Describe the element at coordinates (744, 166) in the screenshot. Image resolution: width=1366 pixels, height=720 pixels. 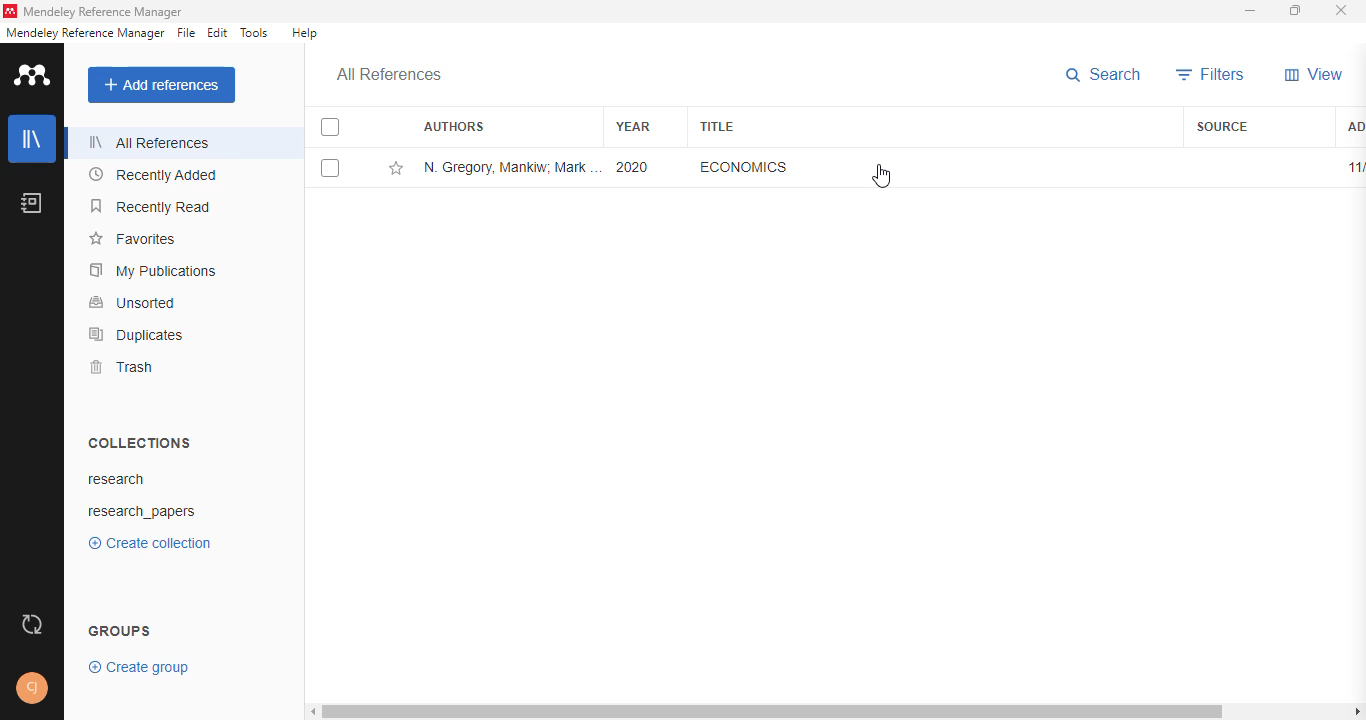
I see `economics` at that location.